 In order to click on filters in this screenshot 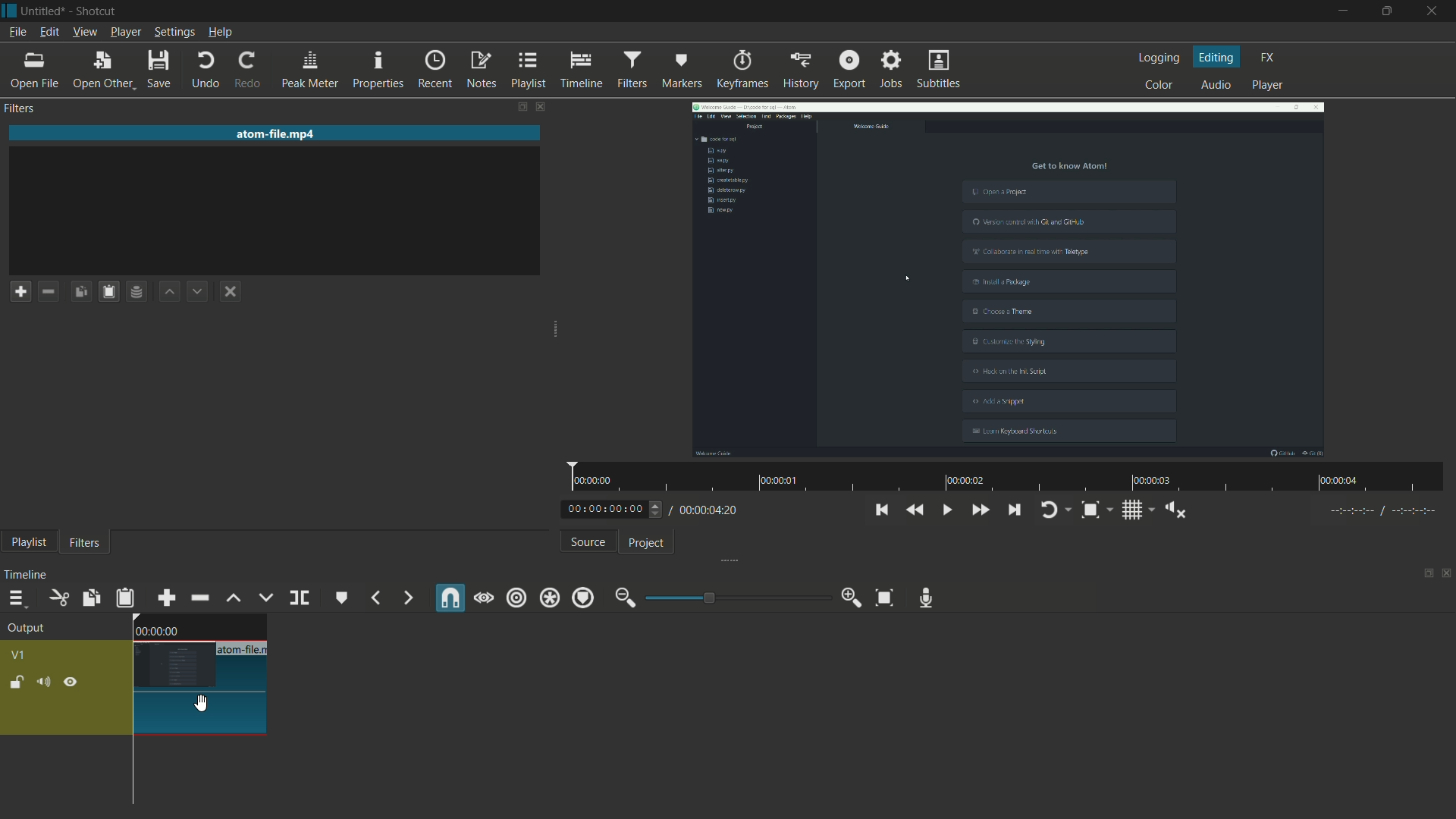, I will do `click(20, 109)`.